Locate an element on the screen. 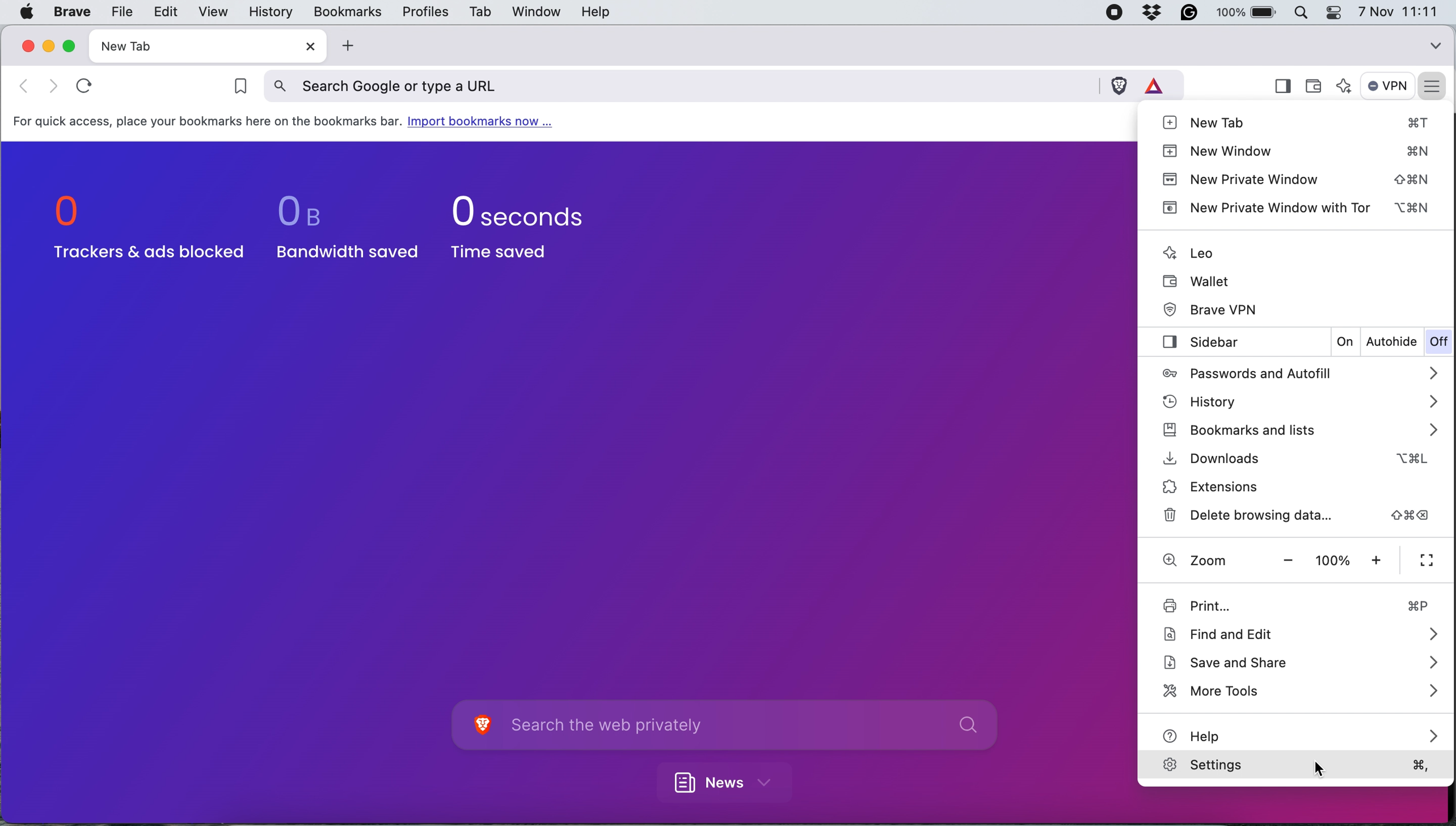 The width and height of the screenshot is (1456, 826). 0 b bandwidth saved is located at coordinates (341, 225).